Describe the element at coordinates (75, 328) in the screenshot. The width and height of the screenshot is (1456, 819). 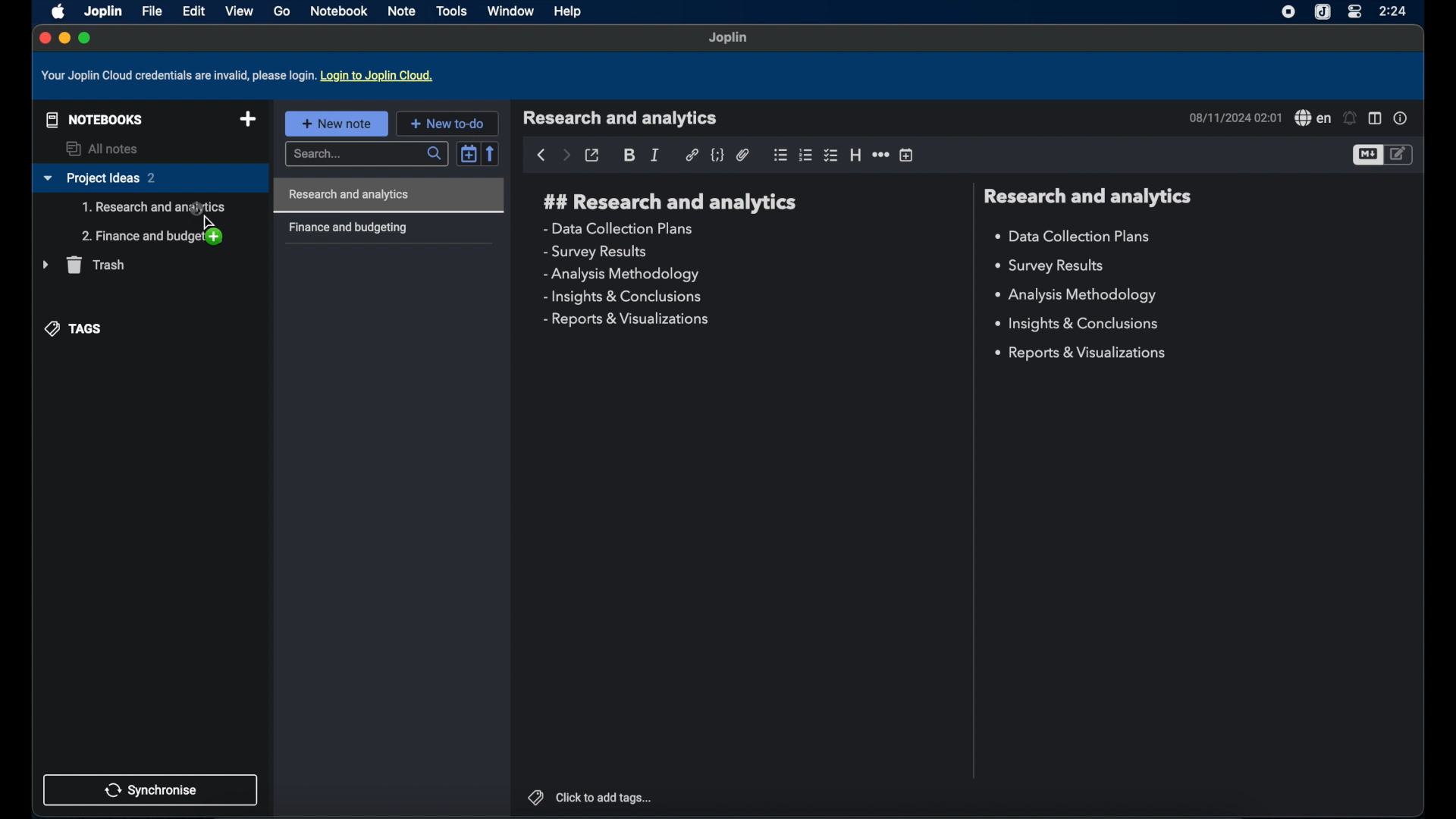
I see `tags` at that location.